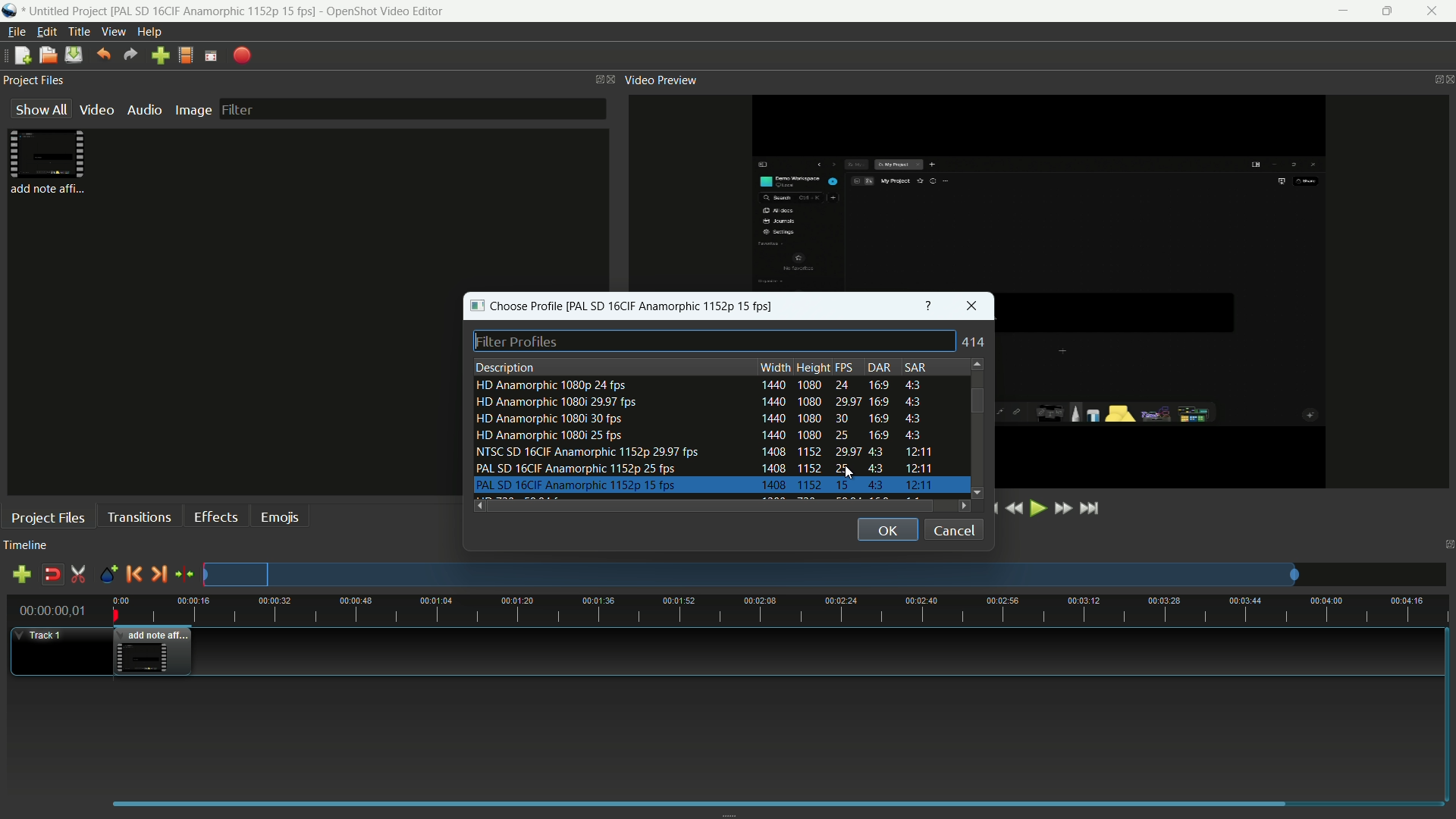 The height and width of the screenshot is (819, 1456). Describe the element at coordinates (242, 56) in the screenshot. I see `export` at that location.